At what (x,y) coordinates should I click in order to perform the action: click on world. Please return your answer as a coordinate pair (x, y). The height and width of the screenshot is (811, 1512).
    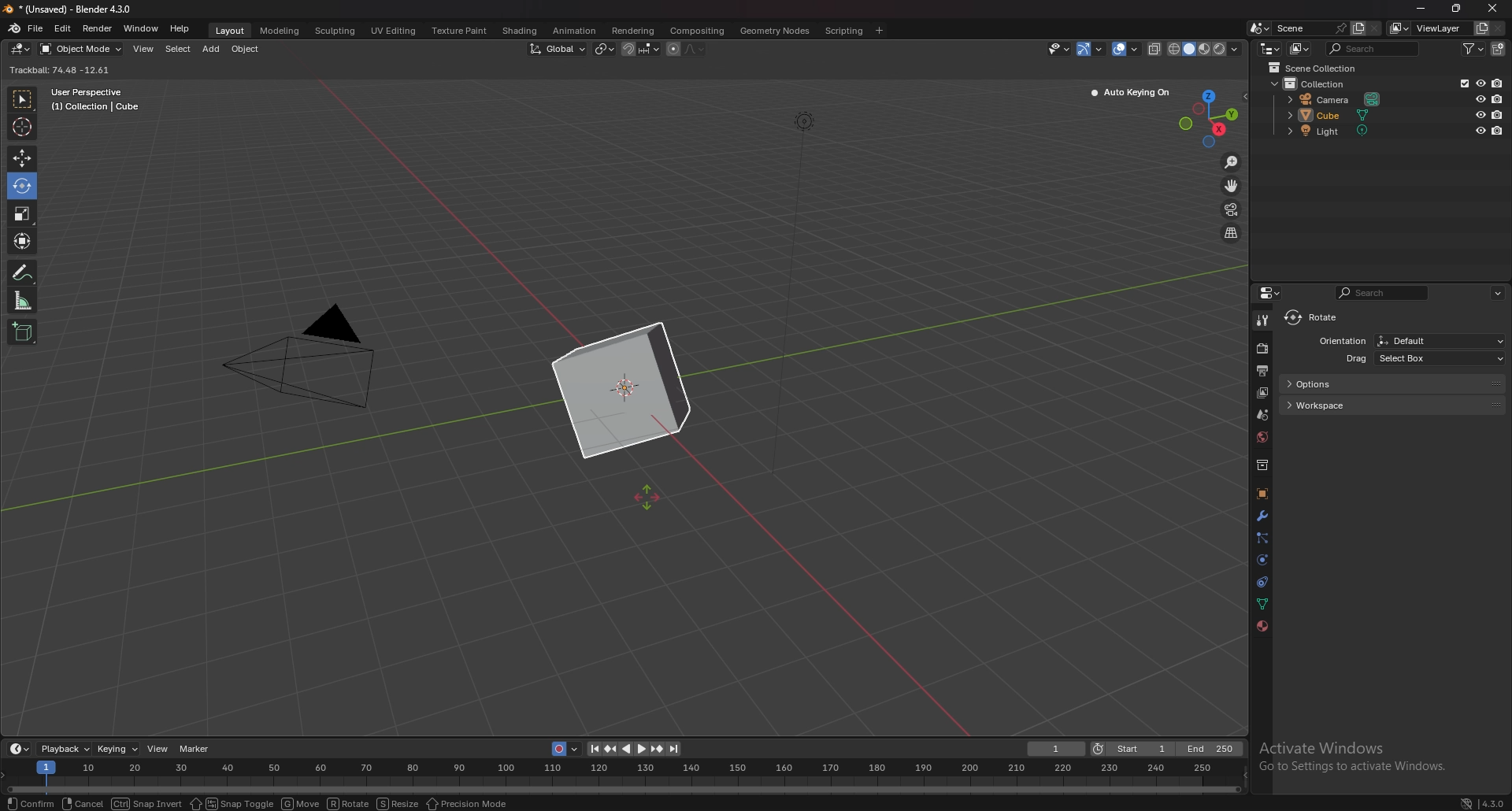
    Looking at the image, I should click on (1262, 437).